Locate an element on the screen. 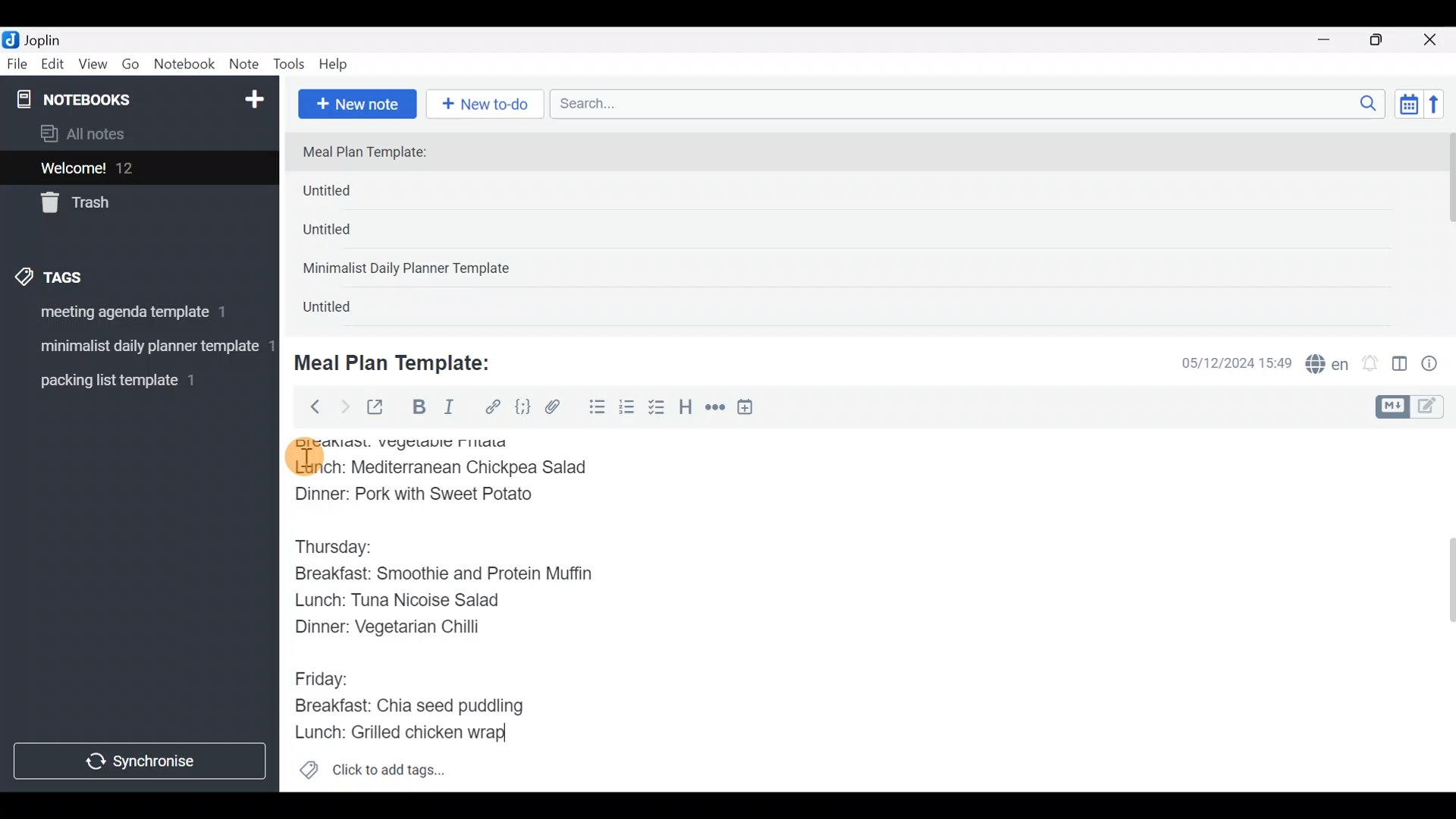 The height and width of the screenshot is (819, 1456). Search bar is located at coordinates (971, 102).